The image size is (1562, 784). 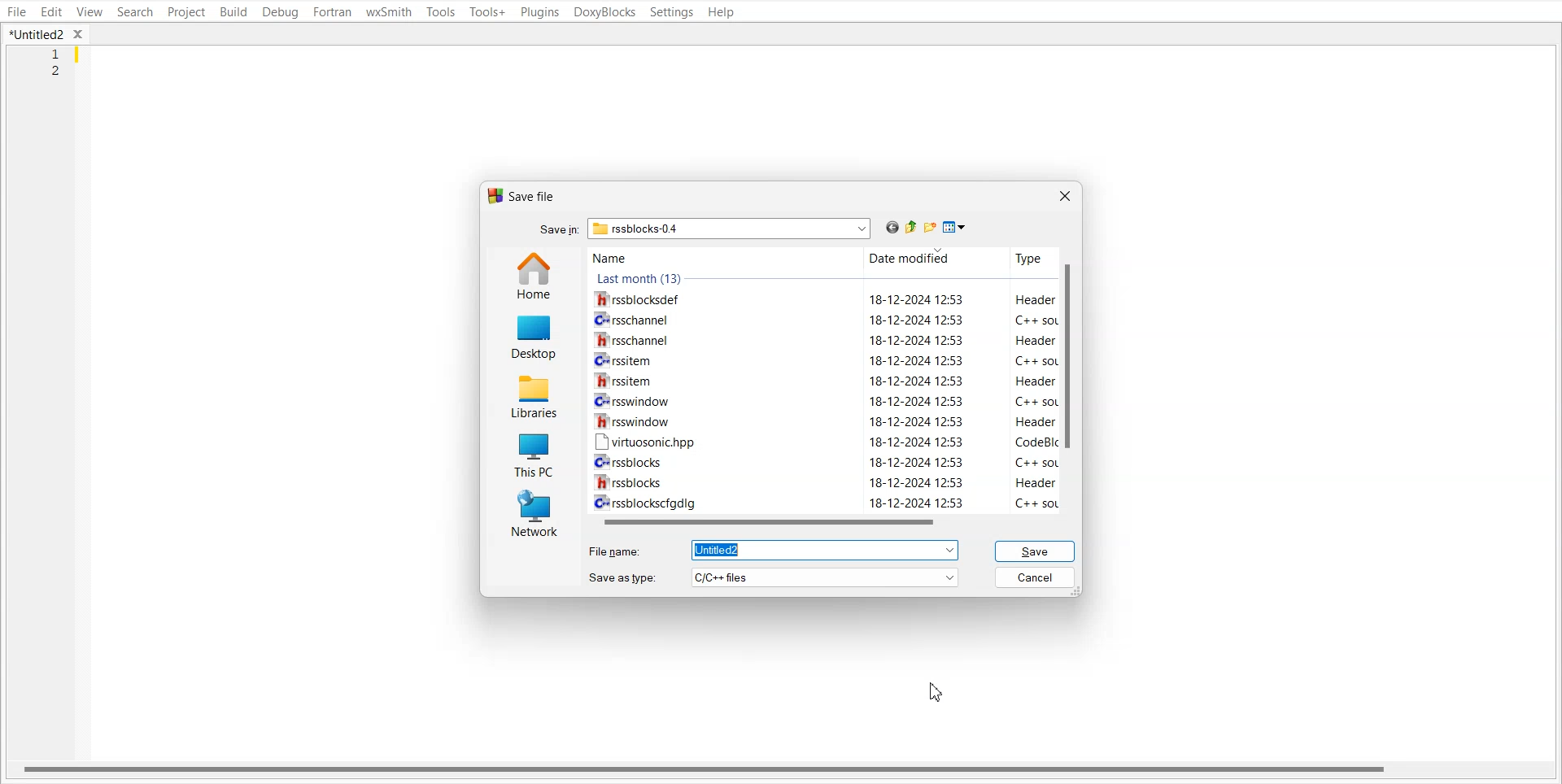 What do you see at coordinates (17, 11) in the screenshot?
I see `File` at bounding box center [17, 11].